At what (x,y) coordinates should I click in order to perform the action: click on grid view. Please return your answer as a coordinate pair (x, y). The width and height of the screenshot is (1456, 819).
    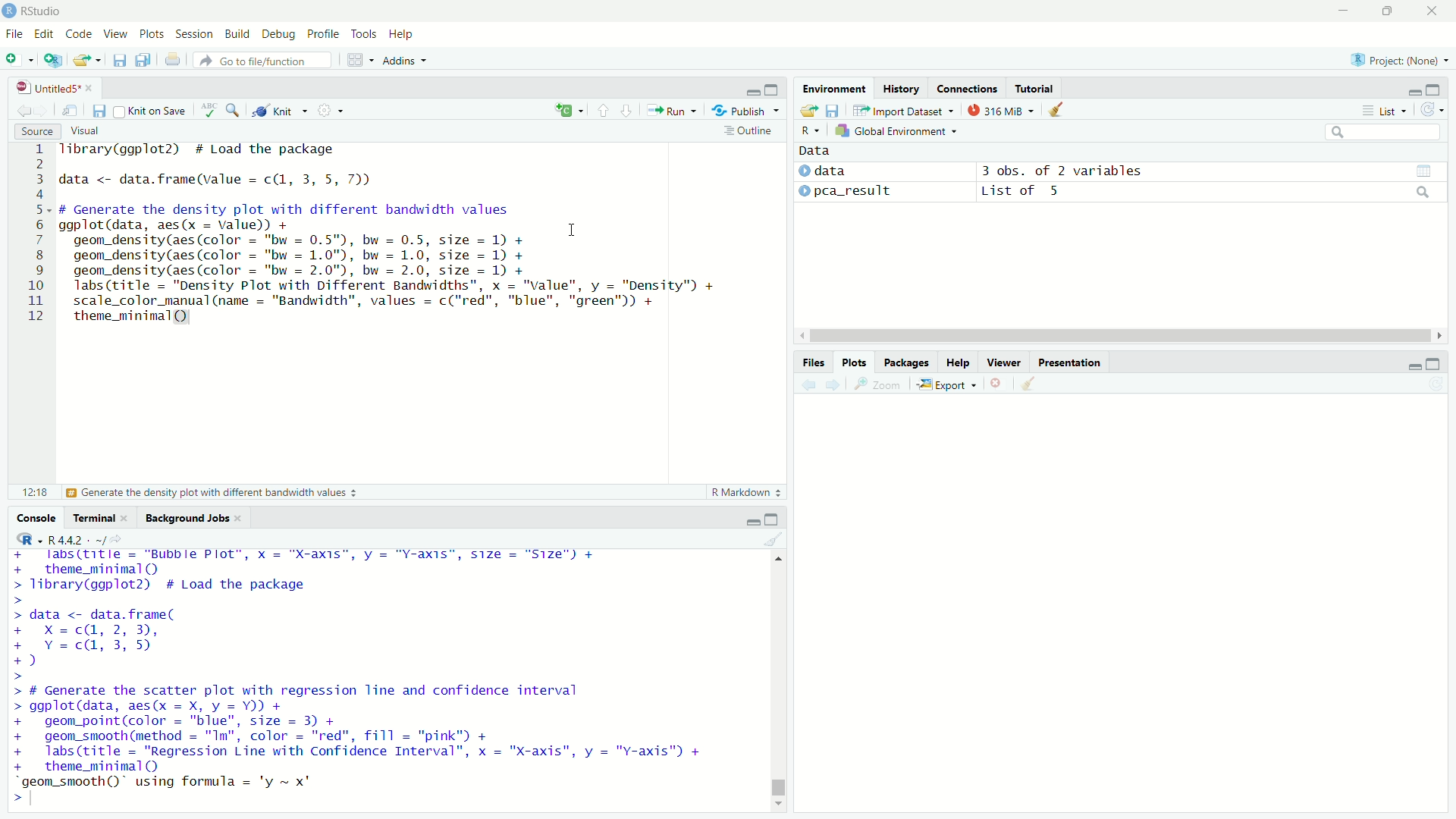
    Looking at the image, I should click on (1424, 171).